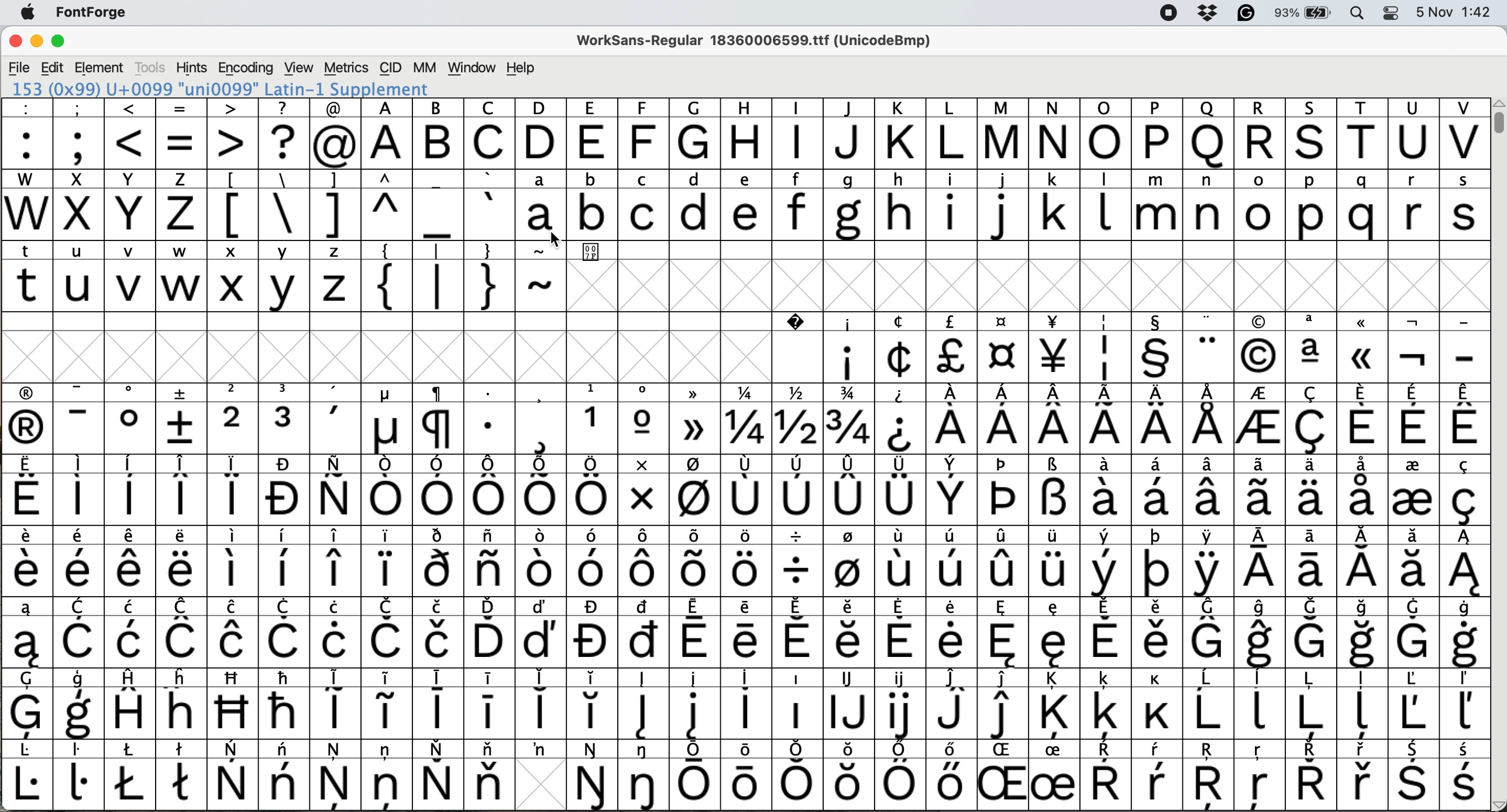 The image size is (1507, 812). I want to click on symbol, so click(1313, 419).